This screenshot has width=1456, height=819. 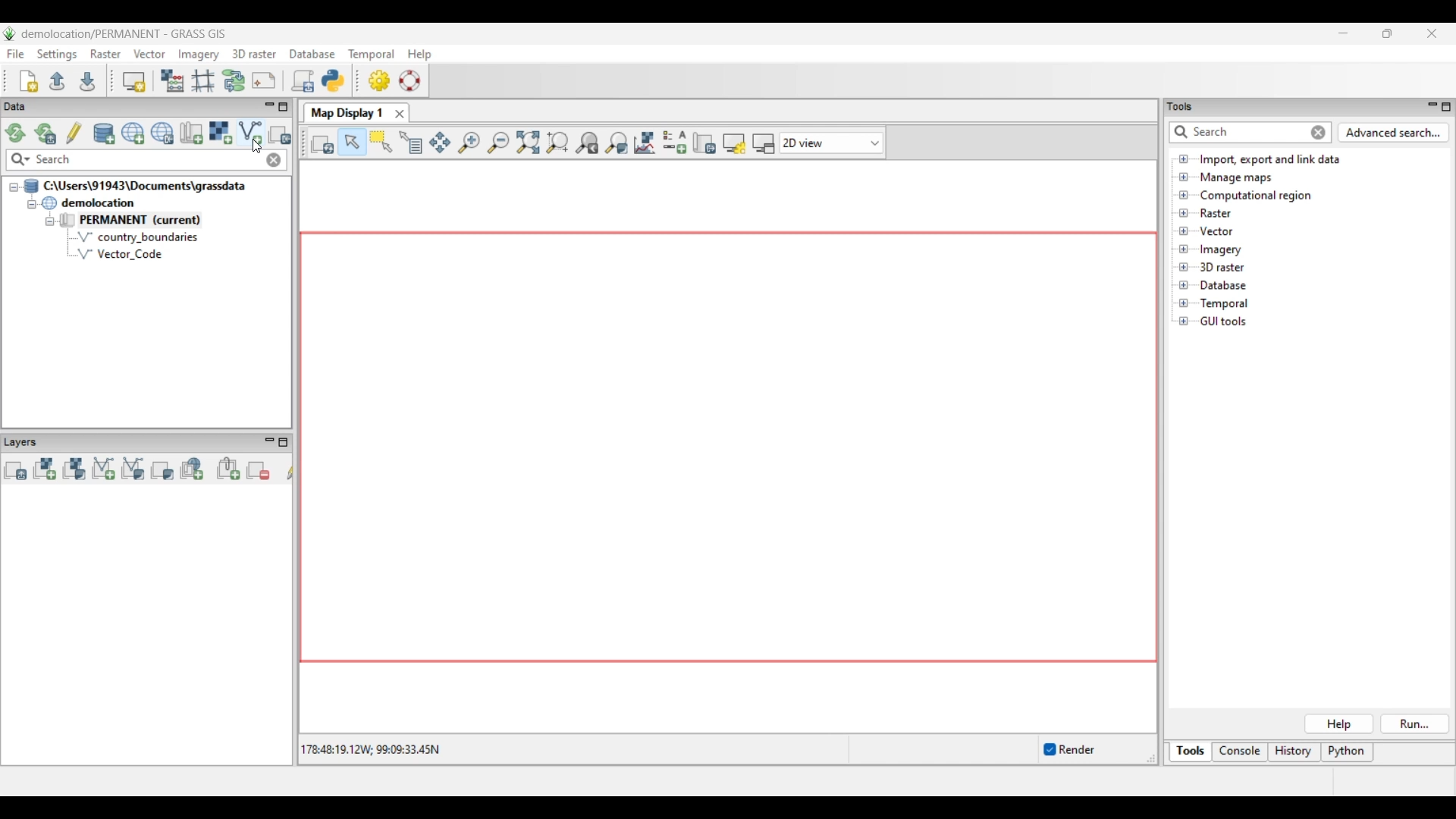 I want to click on Double click to view files under Import, export and link data, so click(x=1270, y=160).